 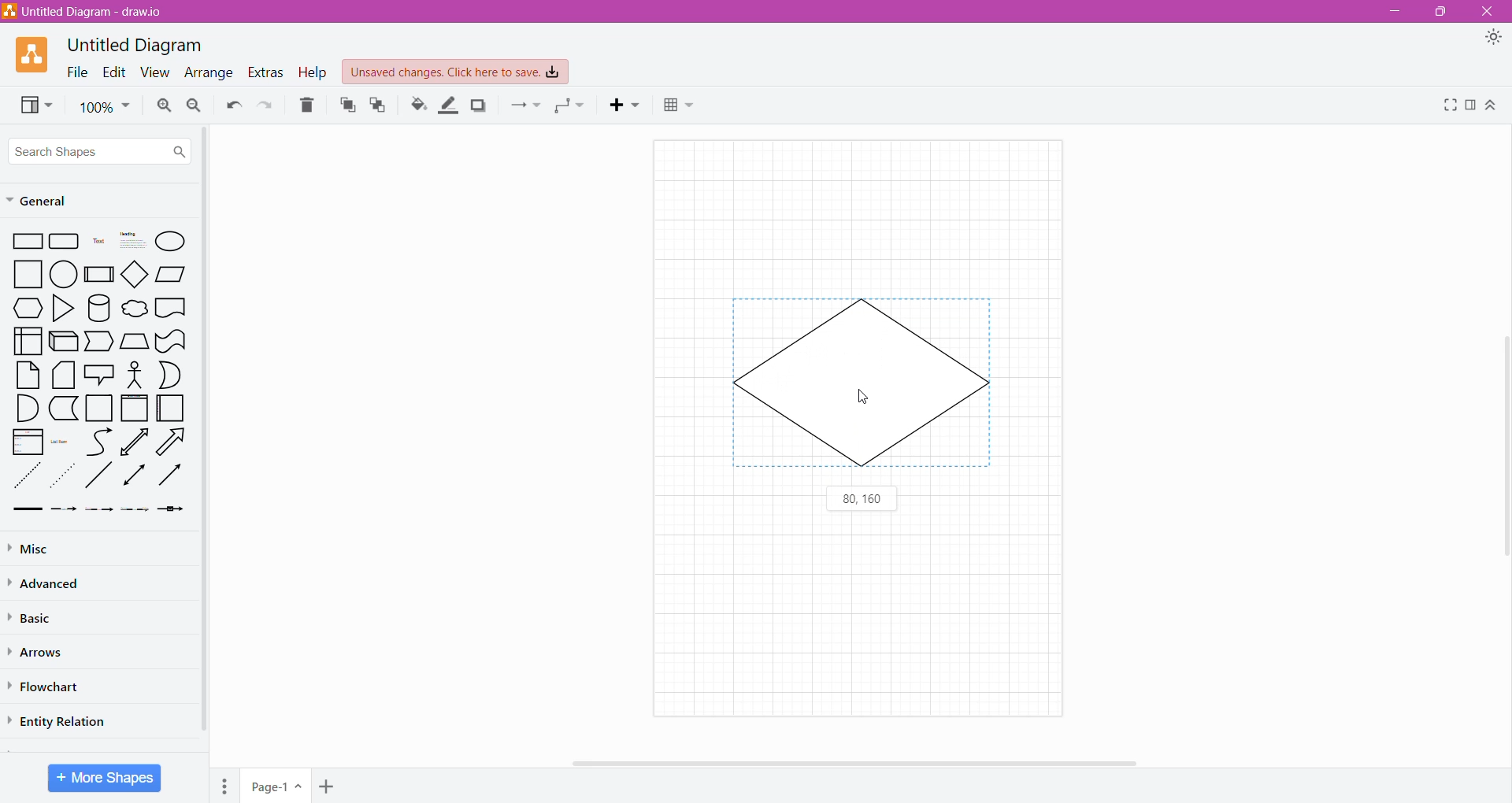 I want to click on Insert, so click(x=628, y=105).